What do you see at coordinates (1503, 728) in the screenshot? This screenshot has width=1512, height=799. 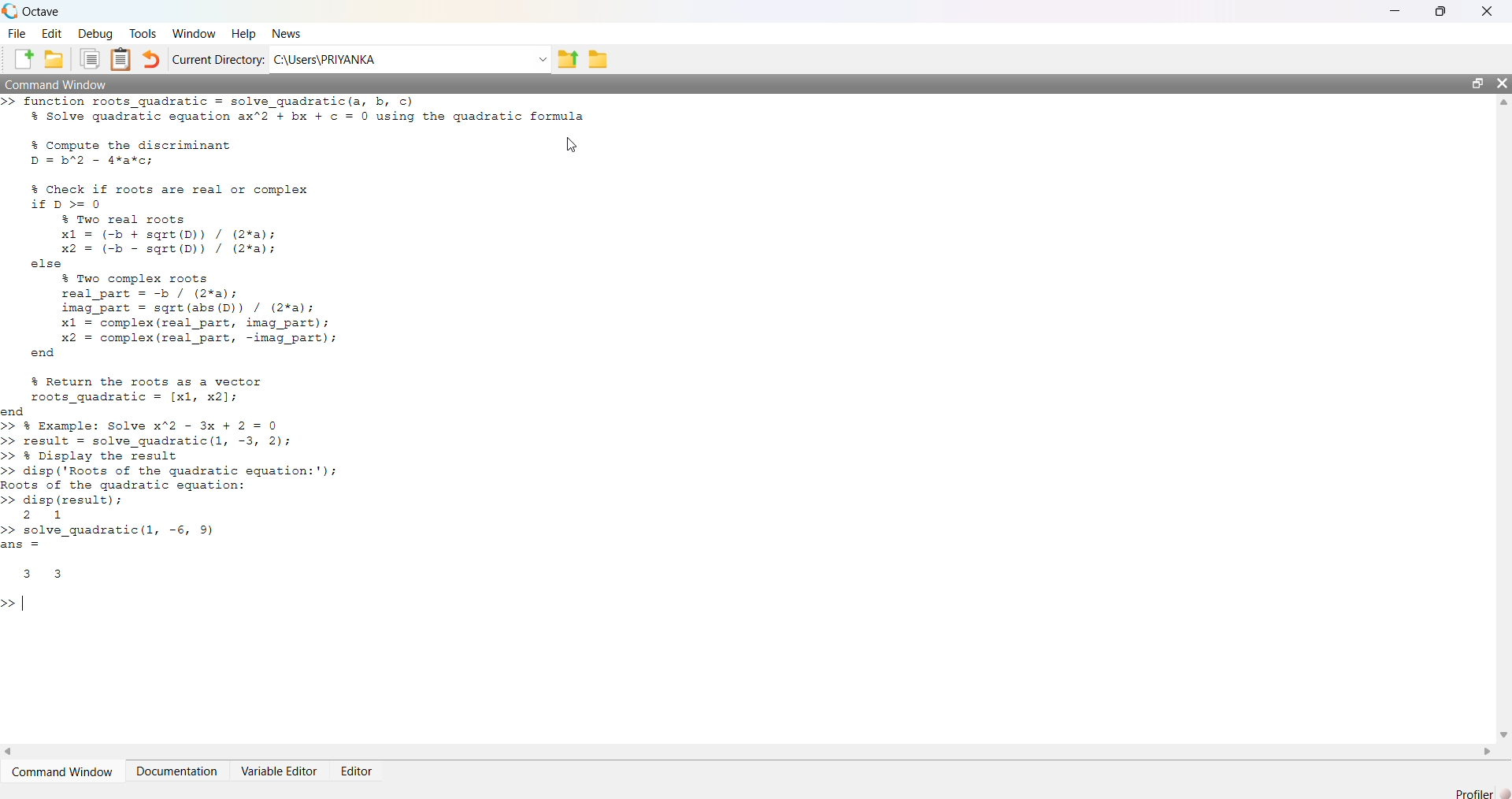 I see `Down` at bounding box center [1503, 728].